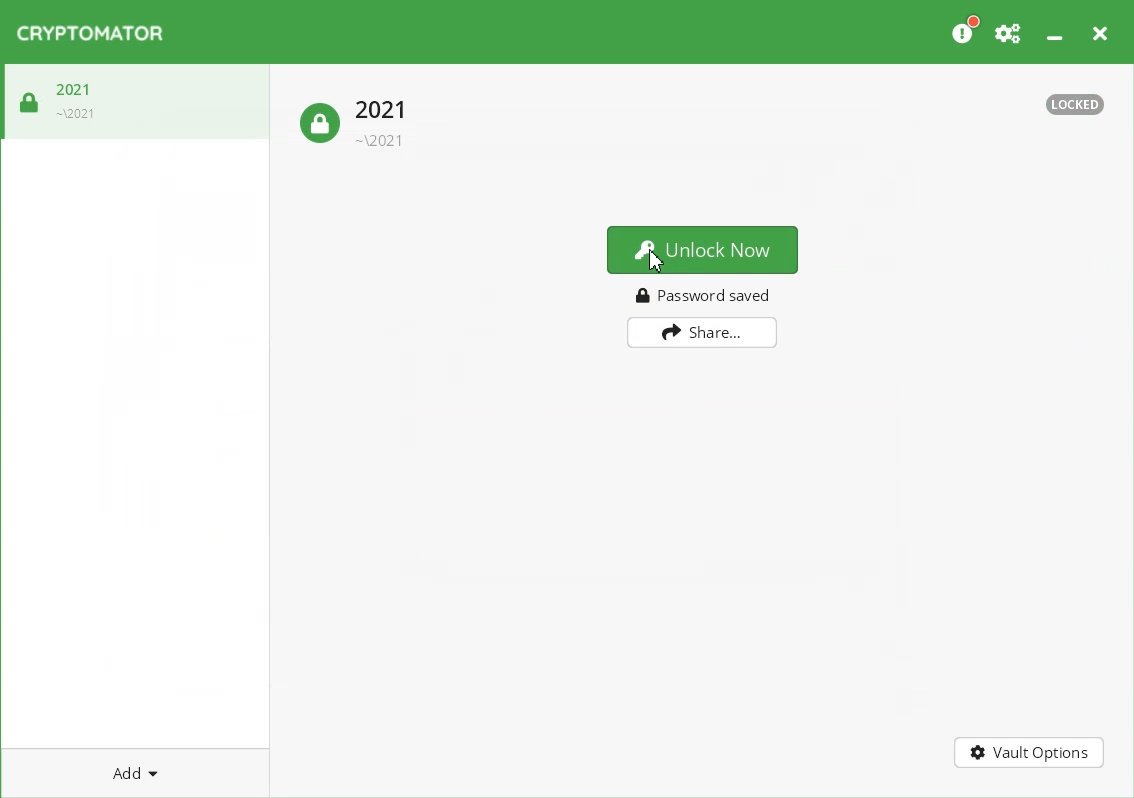  What do you see at coordinates (352, 120) in the screenshot?
I see `Unlock Vault` at bounding box center [352, 120].